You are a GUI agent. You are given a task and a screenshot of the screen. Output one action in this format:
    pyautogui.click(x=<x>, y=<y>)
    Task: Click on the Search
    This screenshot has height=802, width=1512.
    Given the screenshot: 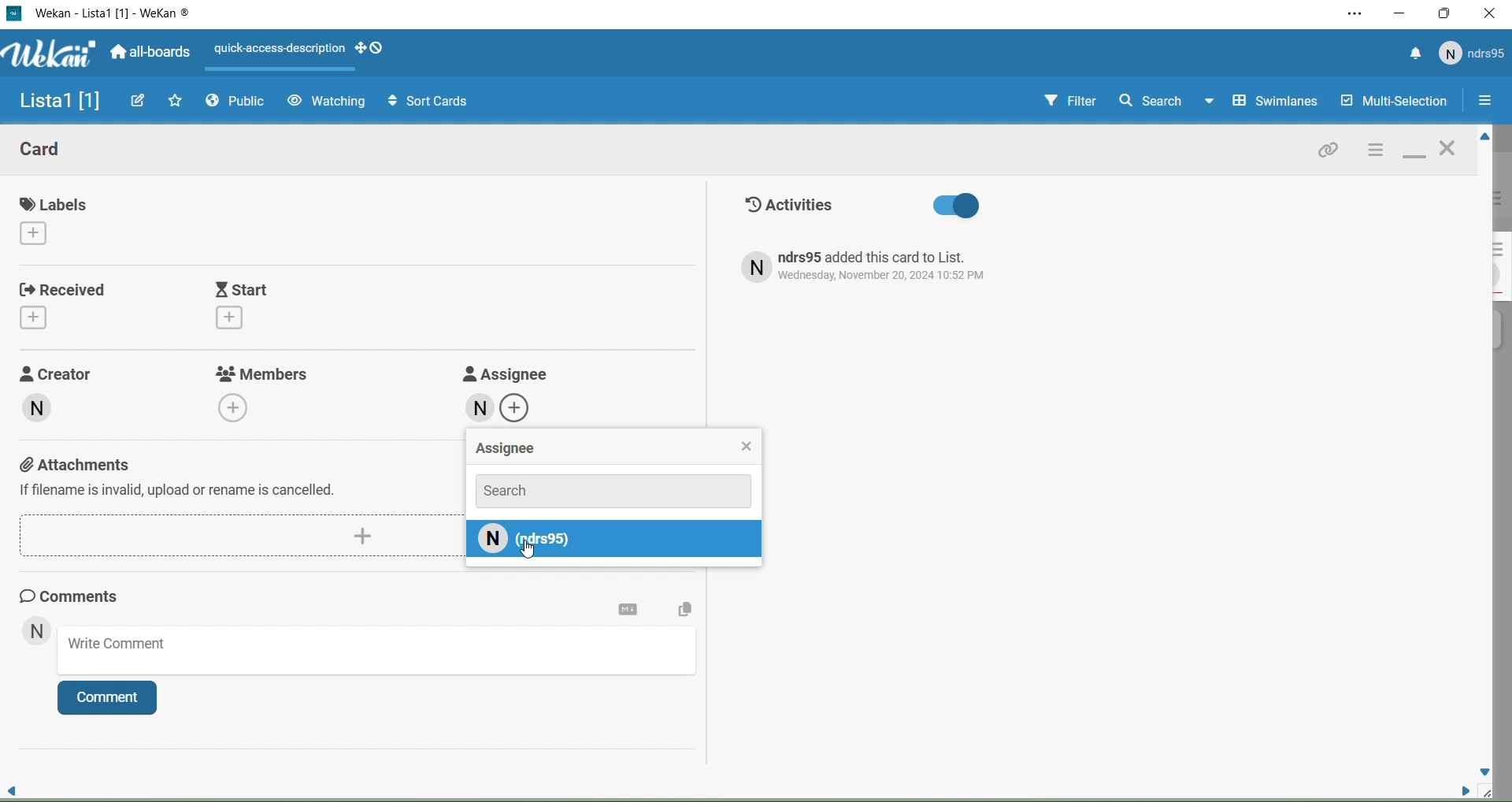 What is the action you would take?
    pyautogui.click(x=1150, y=100)
    